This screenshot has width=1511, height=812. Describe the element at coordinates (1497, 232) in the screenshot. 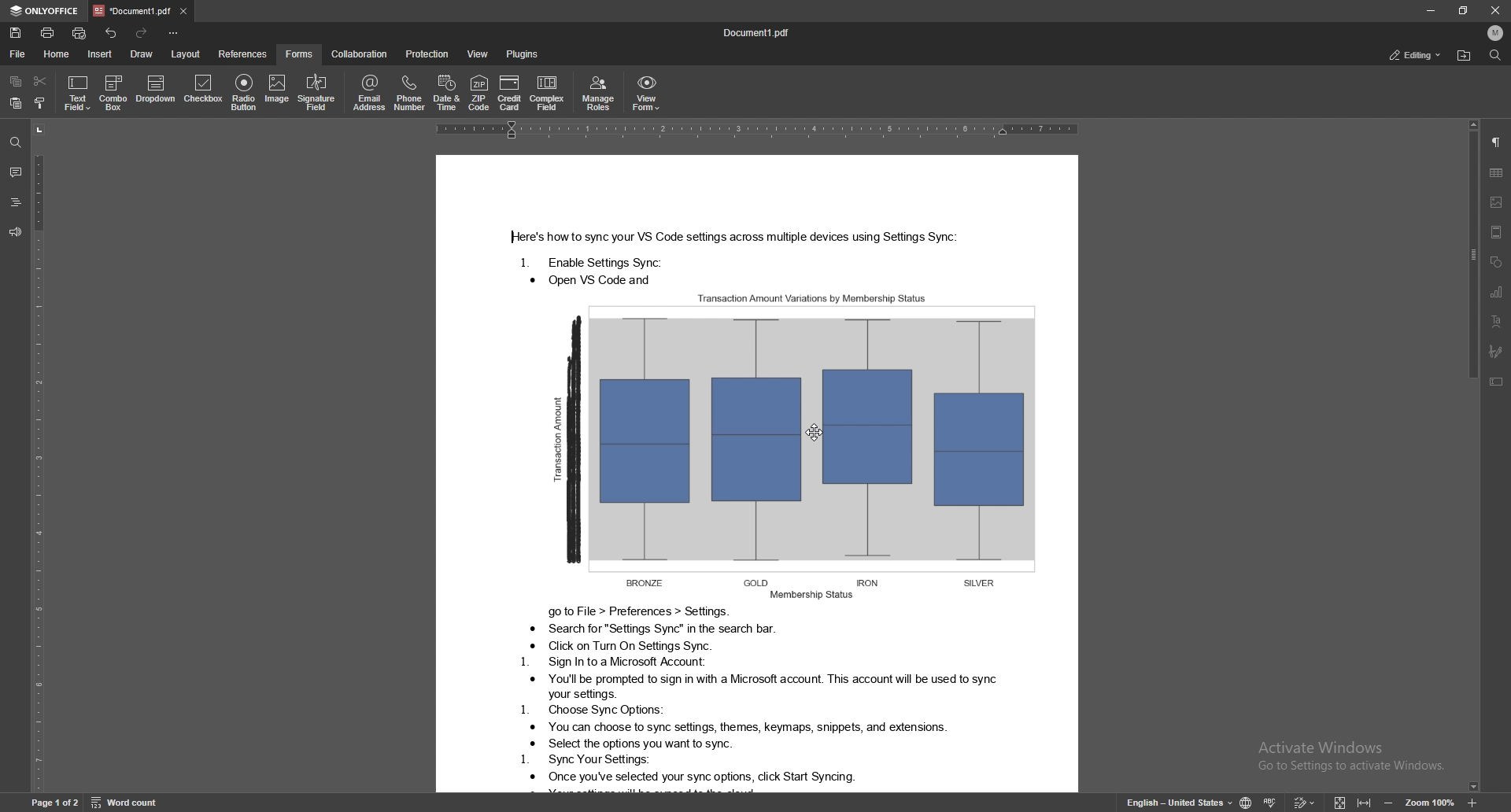

I see `header and footer` at that location.